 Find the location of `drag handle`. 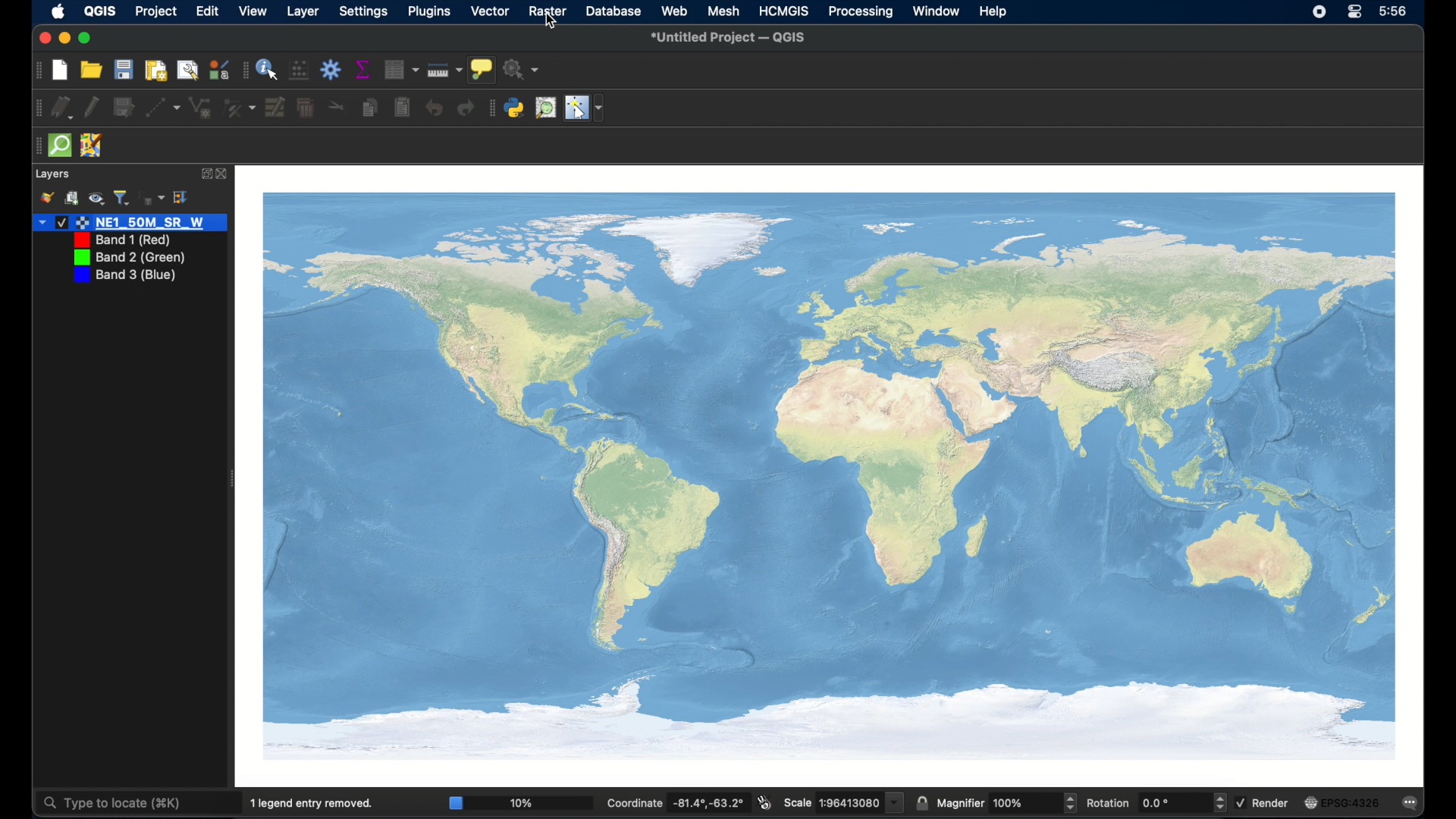

drag handle is located at coordinates (243, 70).